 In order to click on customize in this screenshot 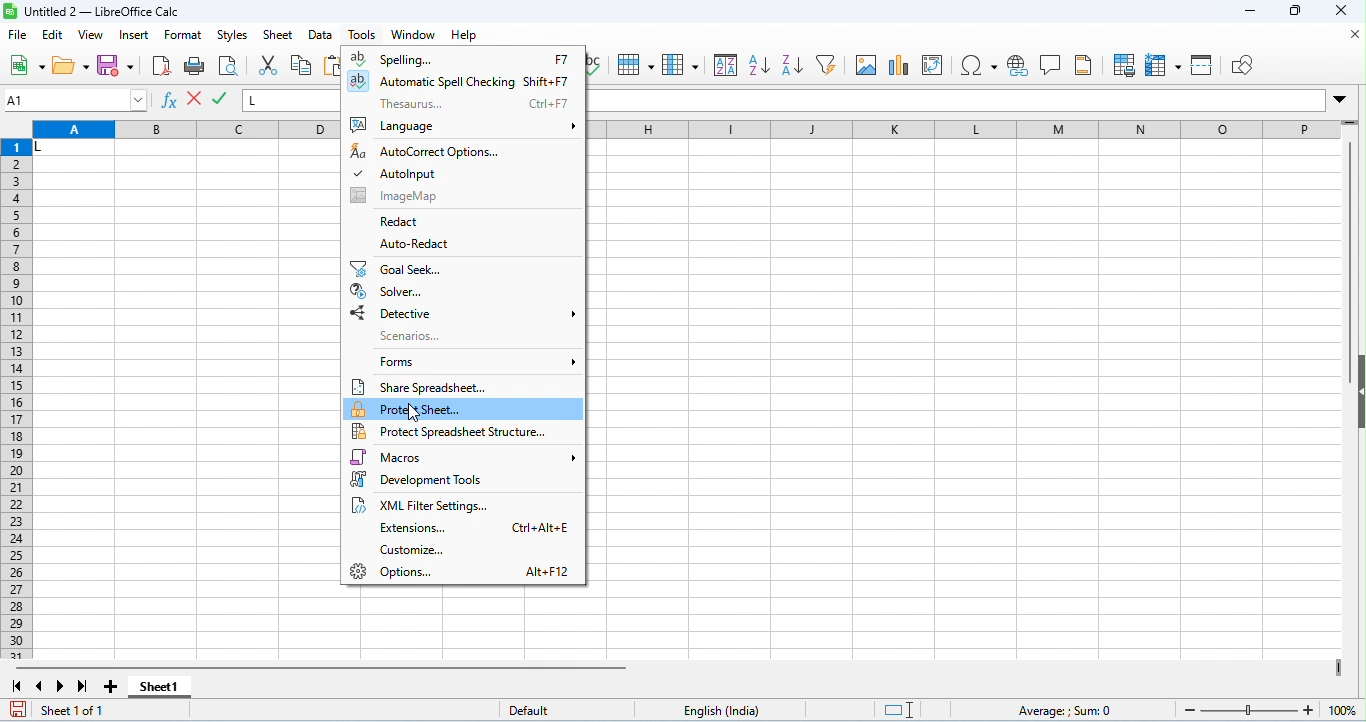, I will do `click(422, 550)`.